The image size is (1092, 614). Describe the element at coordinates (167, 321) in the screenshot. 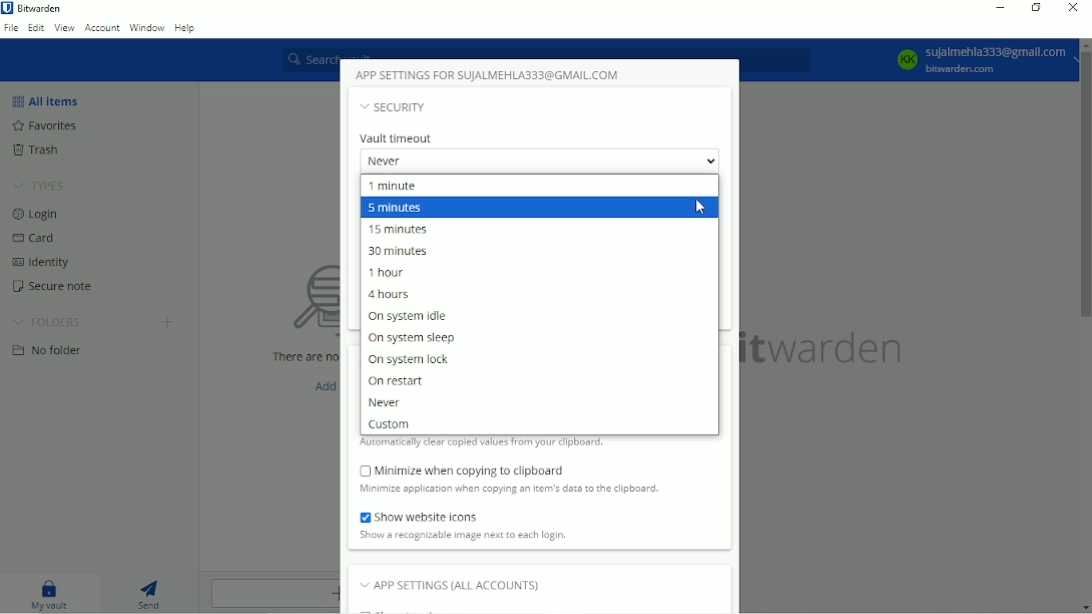

I see `Add folder` at that location.